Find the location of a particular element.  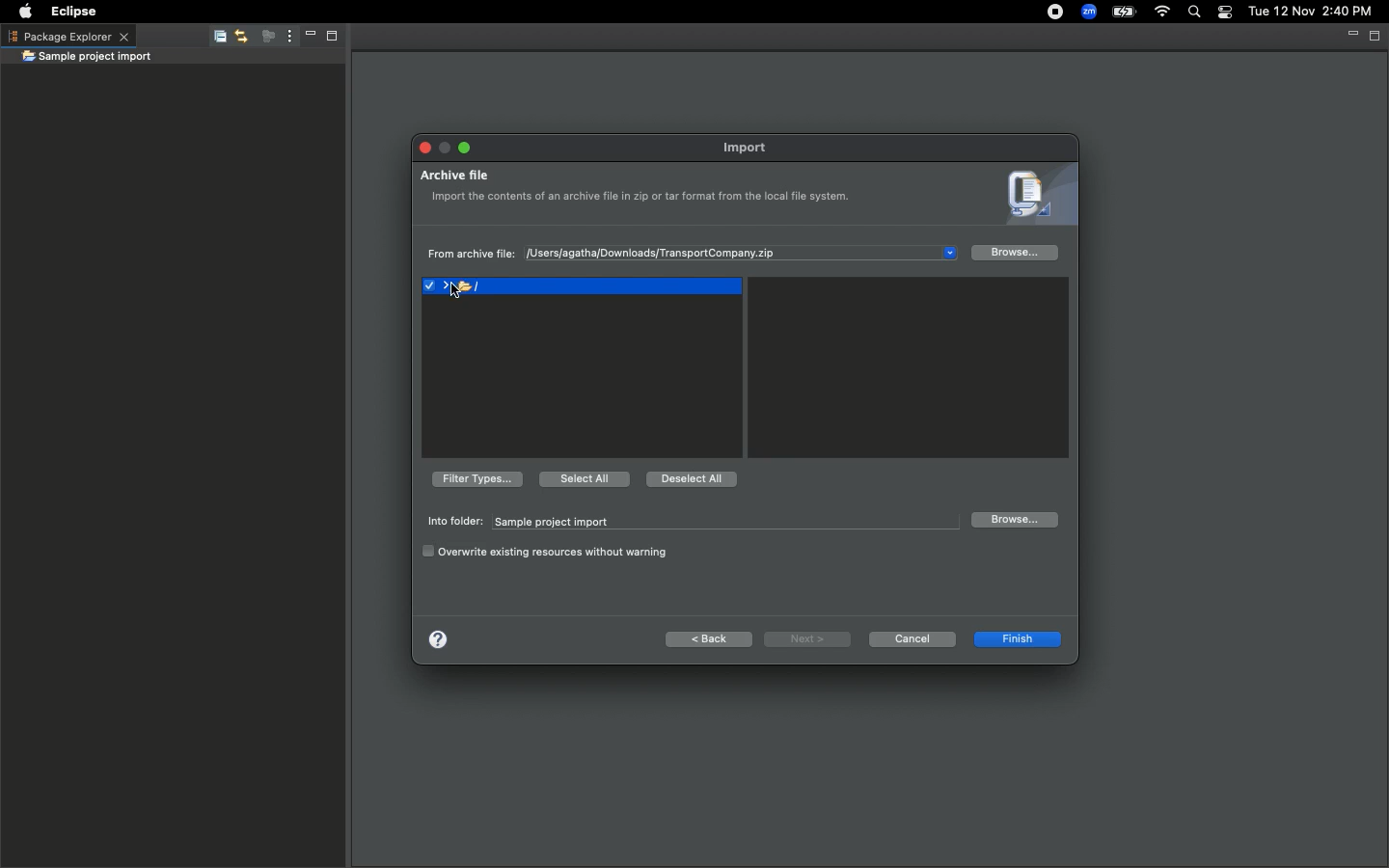

Deselect all is located at coordinates (693, 480).